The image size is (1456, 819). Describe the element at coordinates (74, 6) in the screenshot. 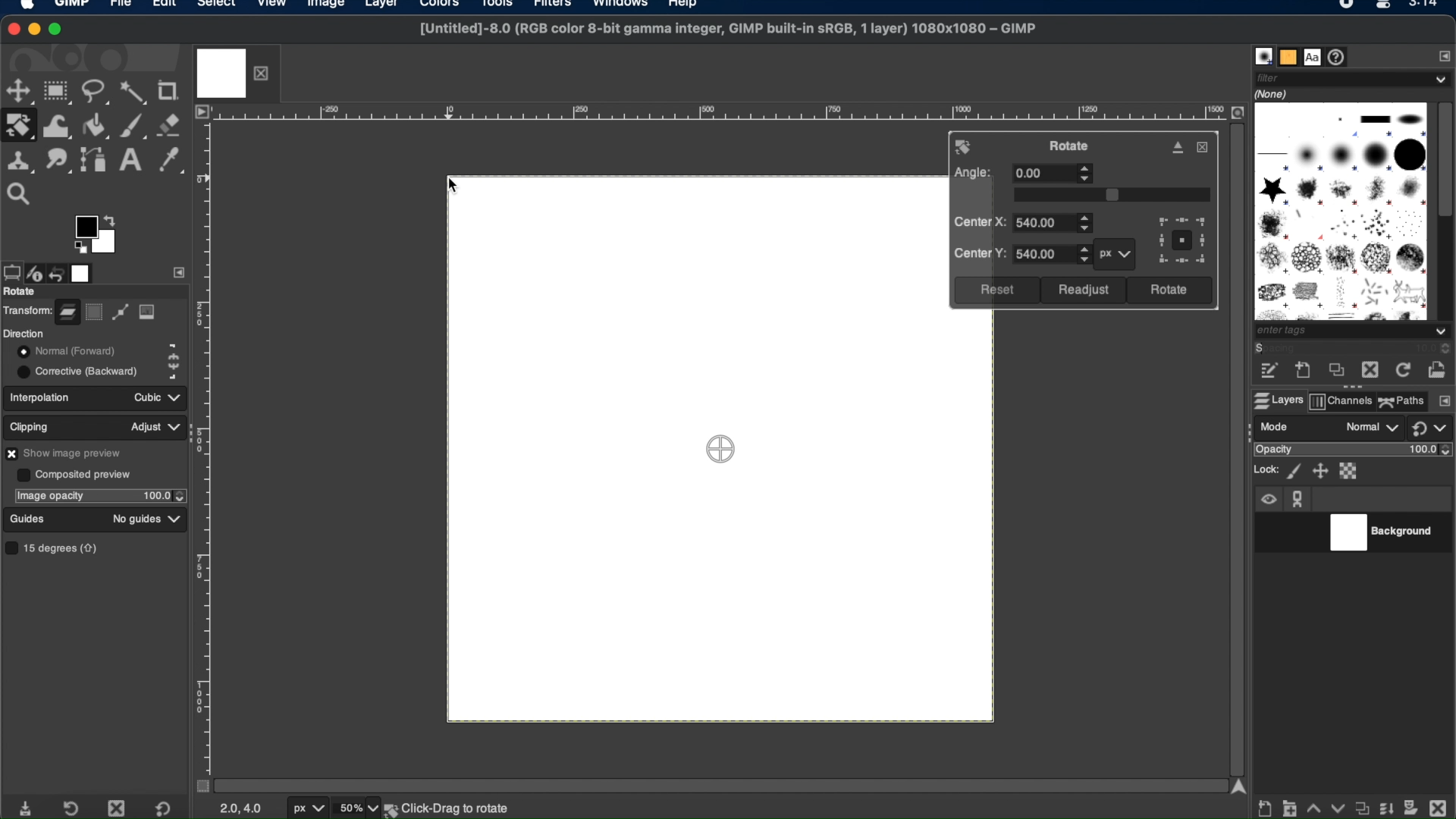

I see `GIMP` at that location.